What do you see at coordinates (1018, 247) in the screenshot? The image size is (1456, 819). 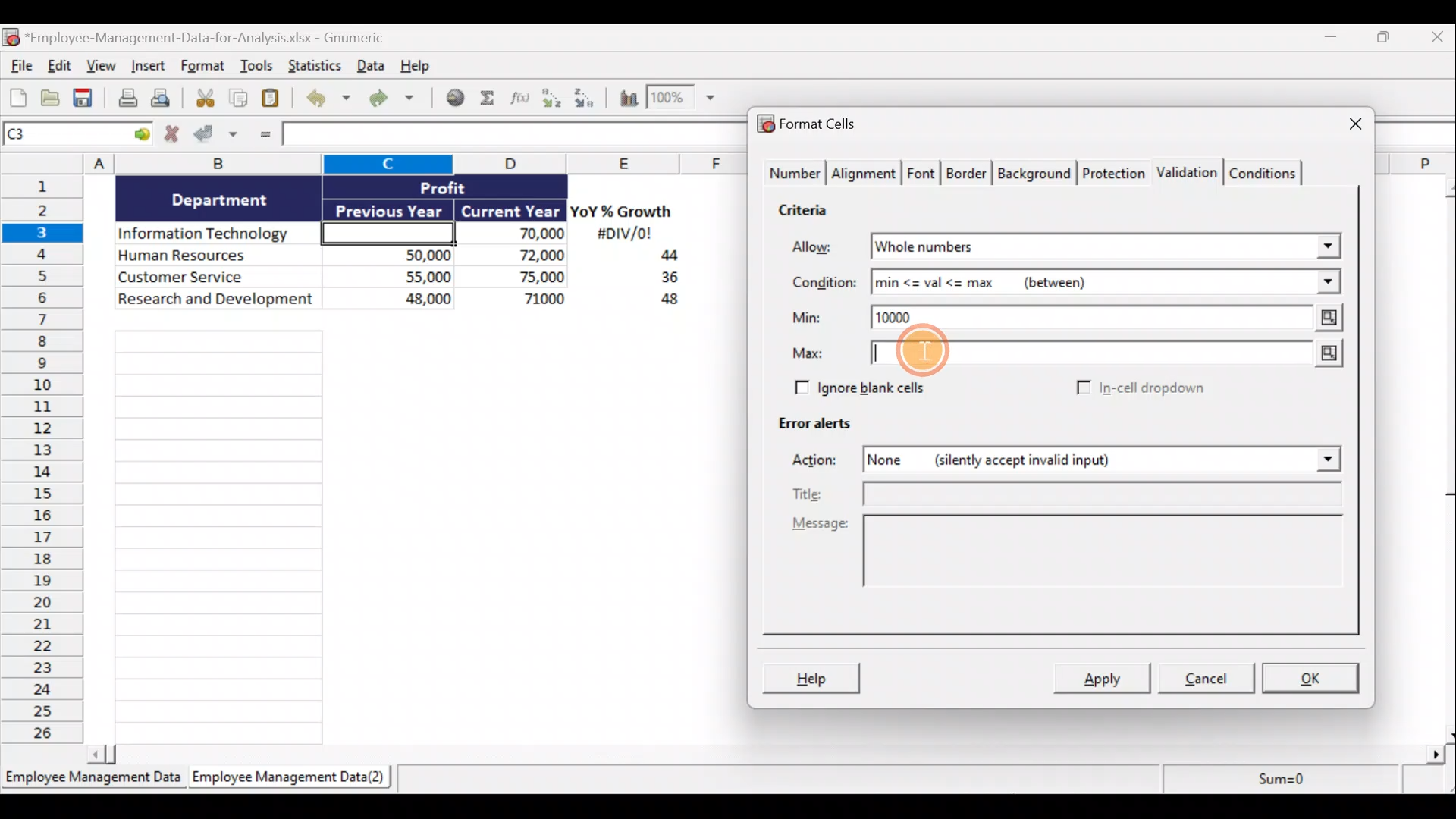 I see `Whole numbers` at bounding box center [1018, 247].